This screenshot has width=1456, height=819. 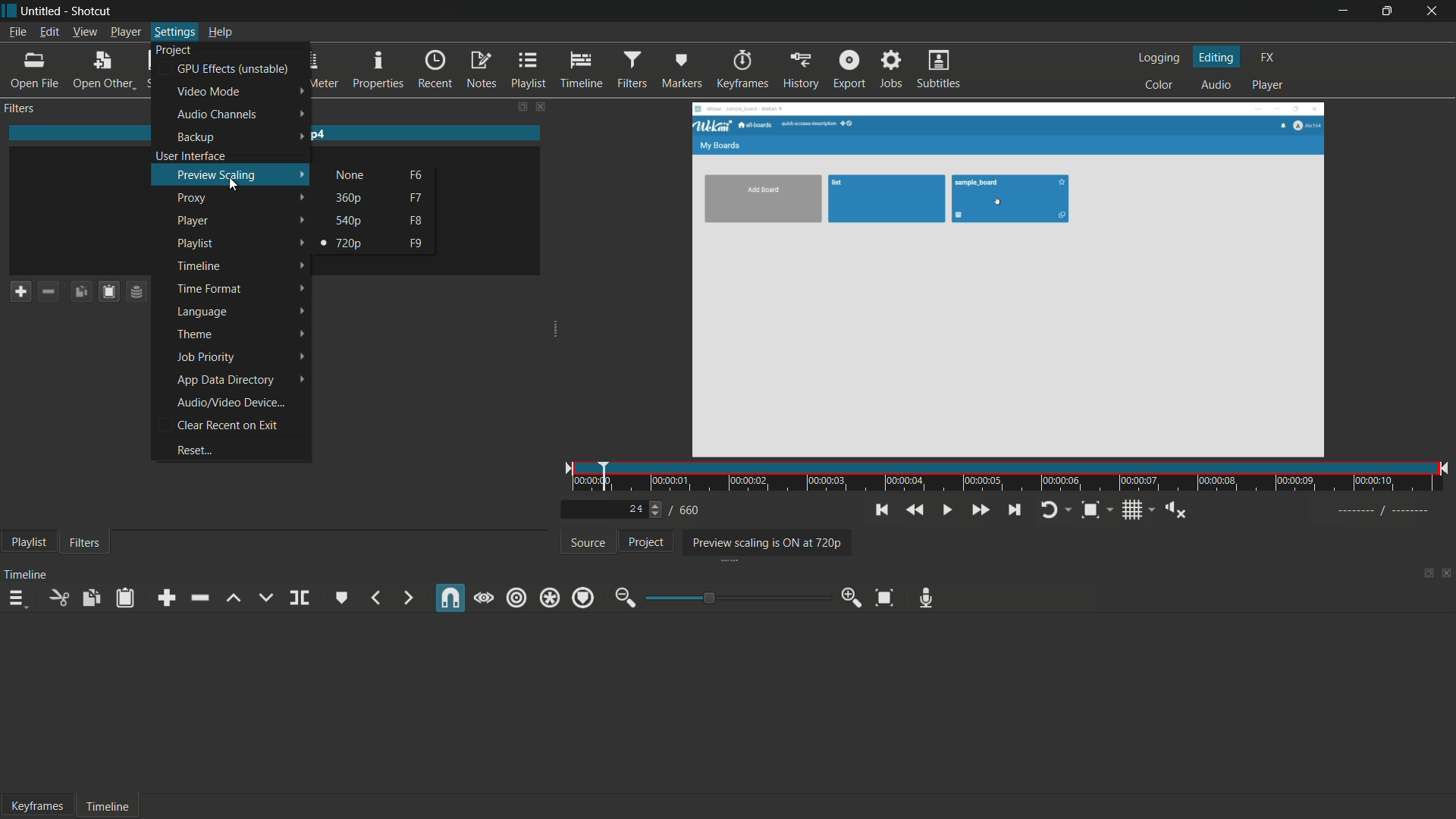 What do you see at coordinates (350, 197) in the screenshot?
I see `360p` at bounding box center [350, 197].